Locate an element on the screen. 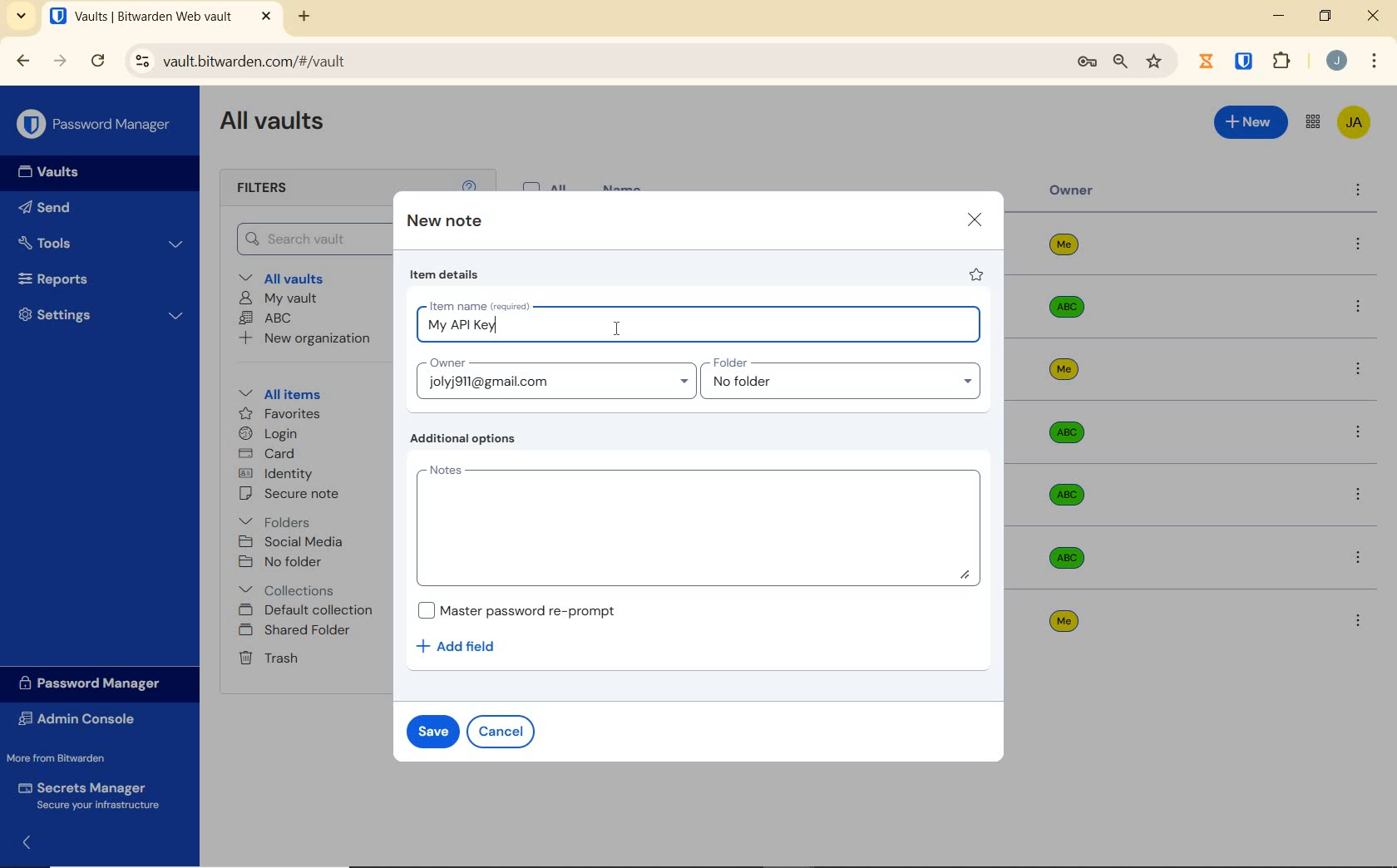  more options is located at coordinates (1357, 308).